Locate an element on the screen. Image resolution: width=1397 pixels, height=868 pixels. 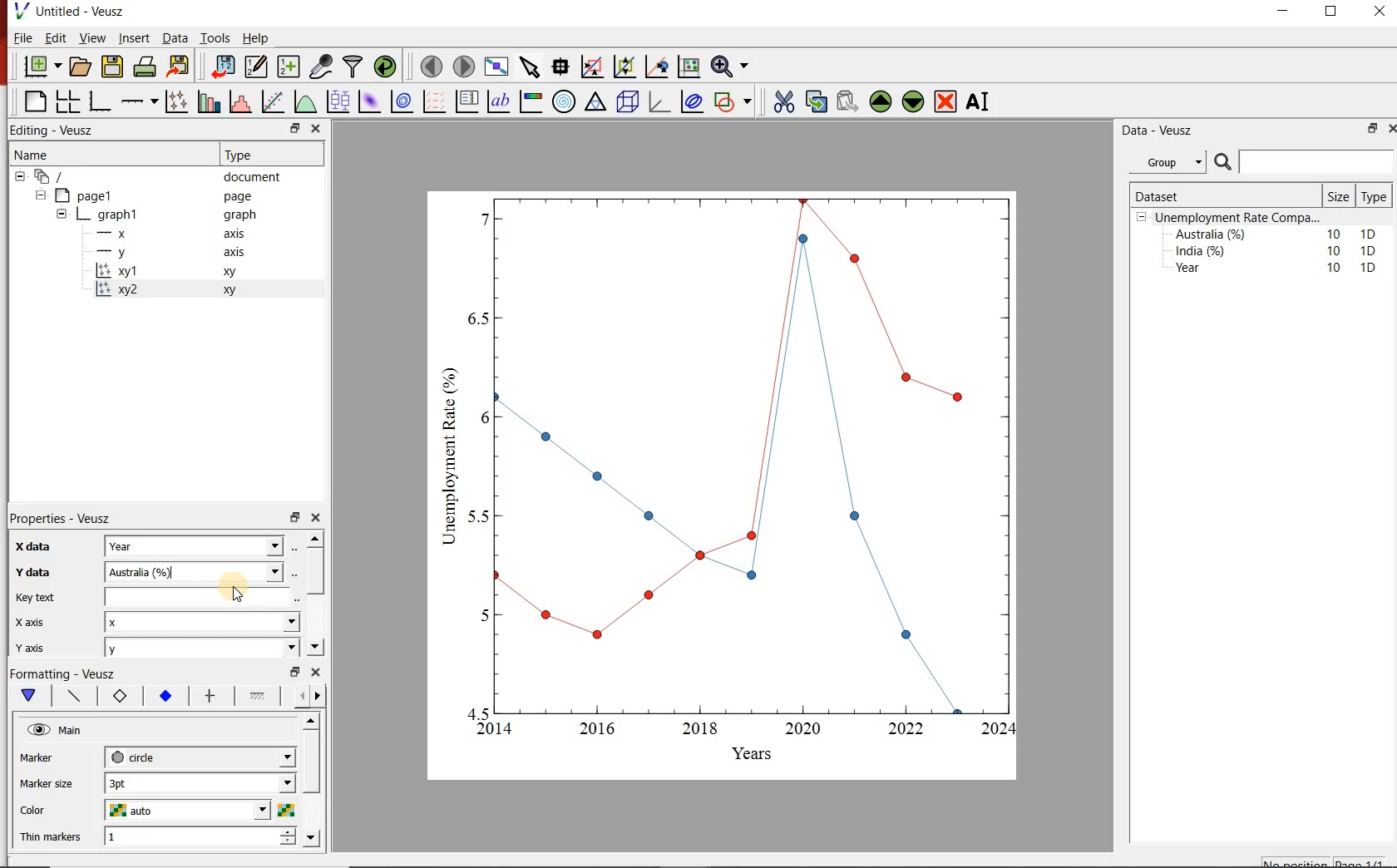
plot 2d datasets as image is located at coordinates (369, 101).